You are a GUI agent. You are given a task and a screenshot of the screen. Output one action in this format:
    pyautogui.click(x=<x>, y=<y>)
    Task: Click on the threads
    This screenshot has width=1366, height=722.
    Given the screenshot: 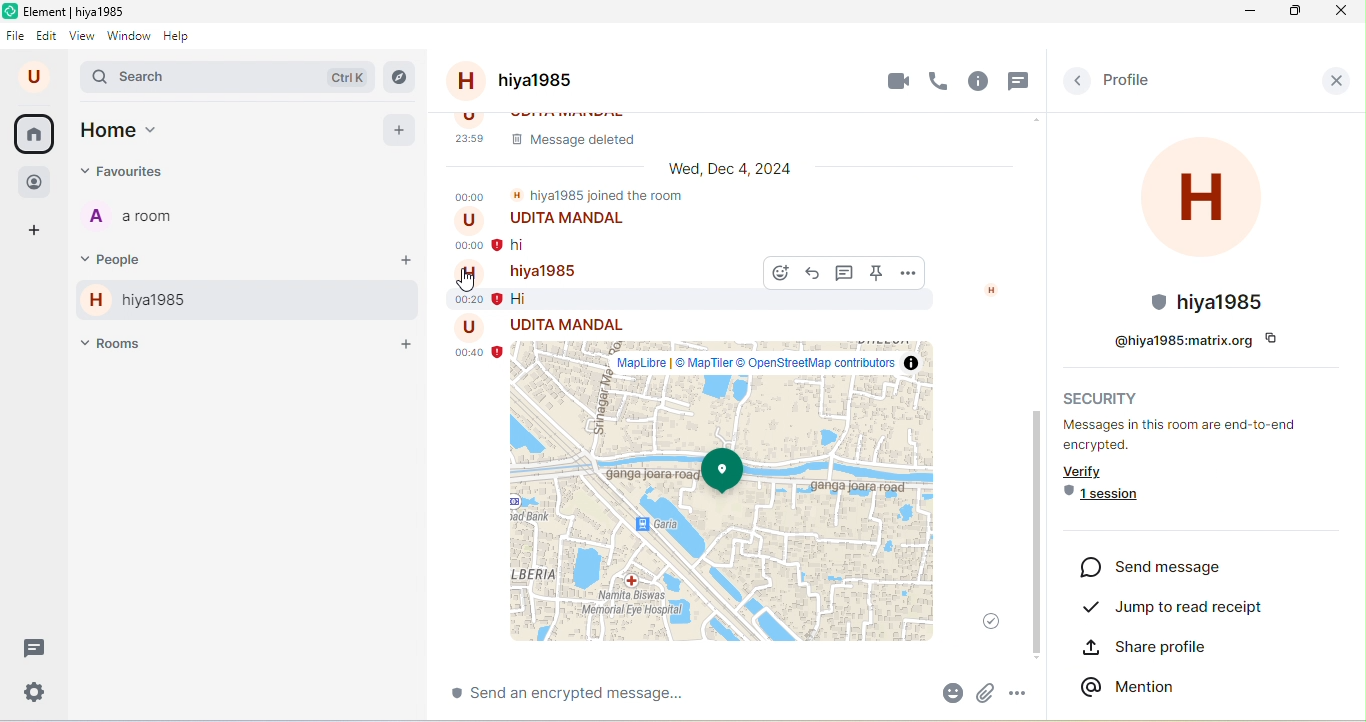 What is the action you would take?
    pyautogui.click(x=36, y=648)
    